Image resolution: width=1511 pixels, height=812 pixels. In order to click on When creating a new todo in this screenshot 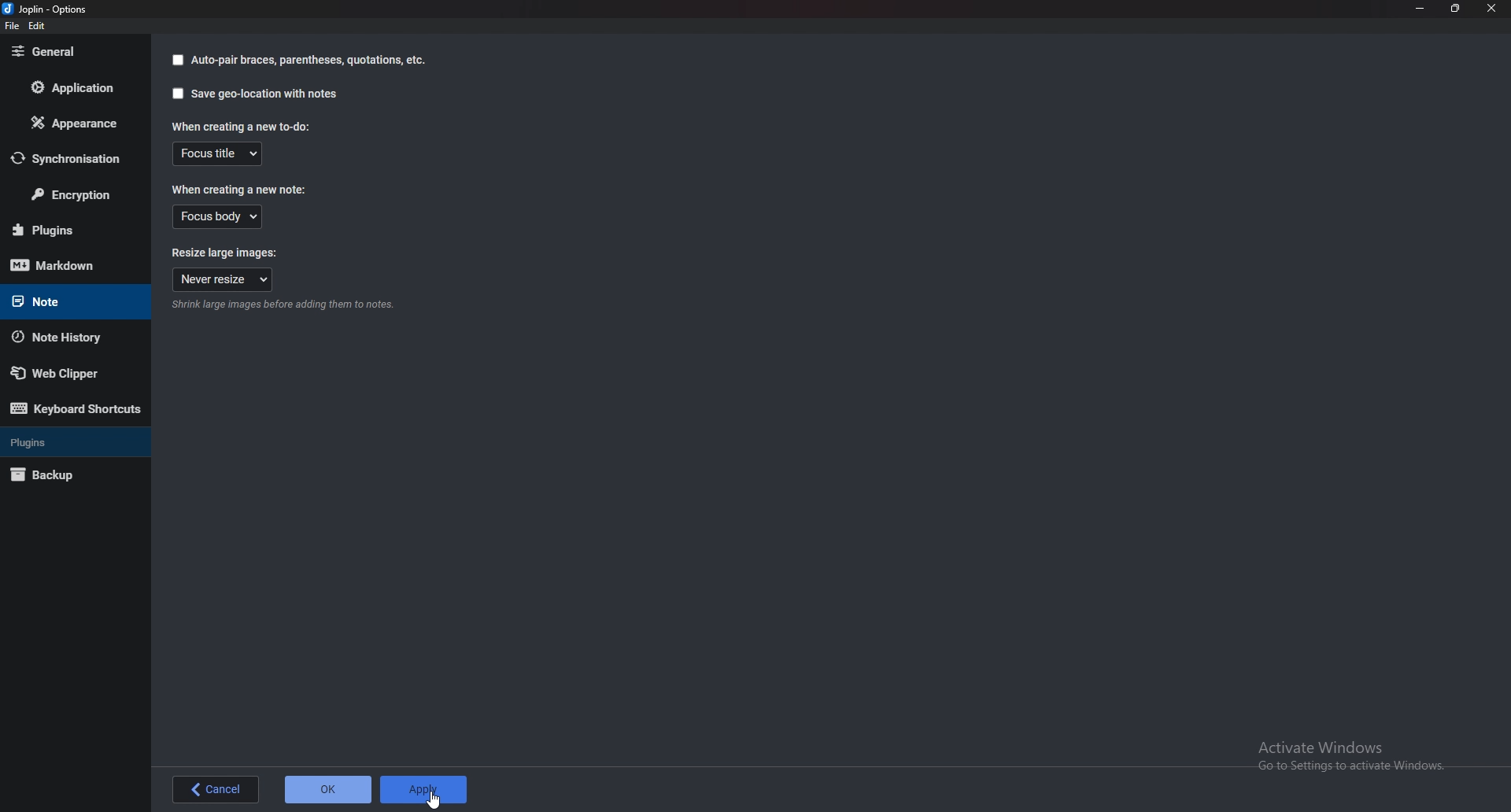, I will do `click(238, 126)`.